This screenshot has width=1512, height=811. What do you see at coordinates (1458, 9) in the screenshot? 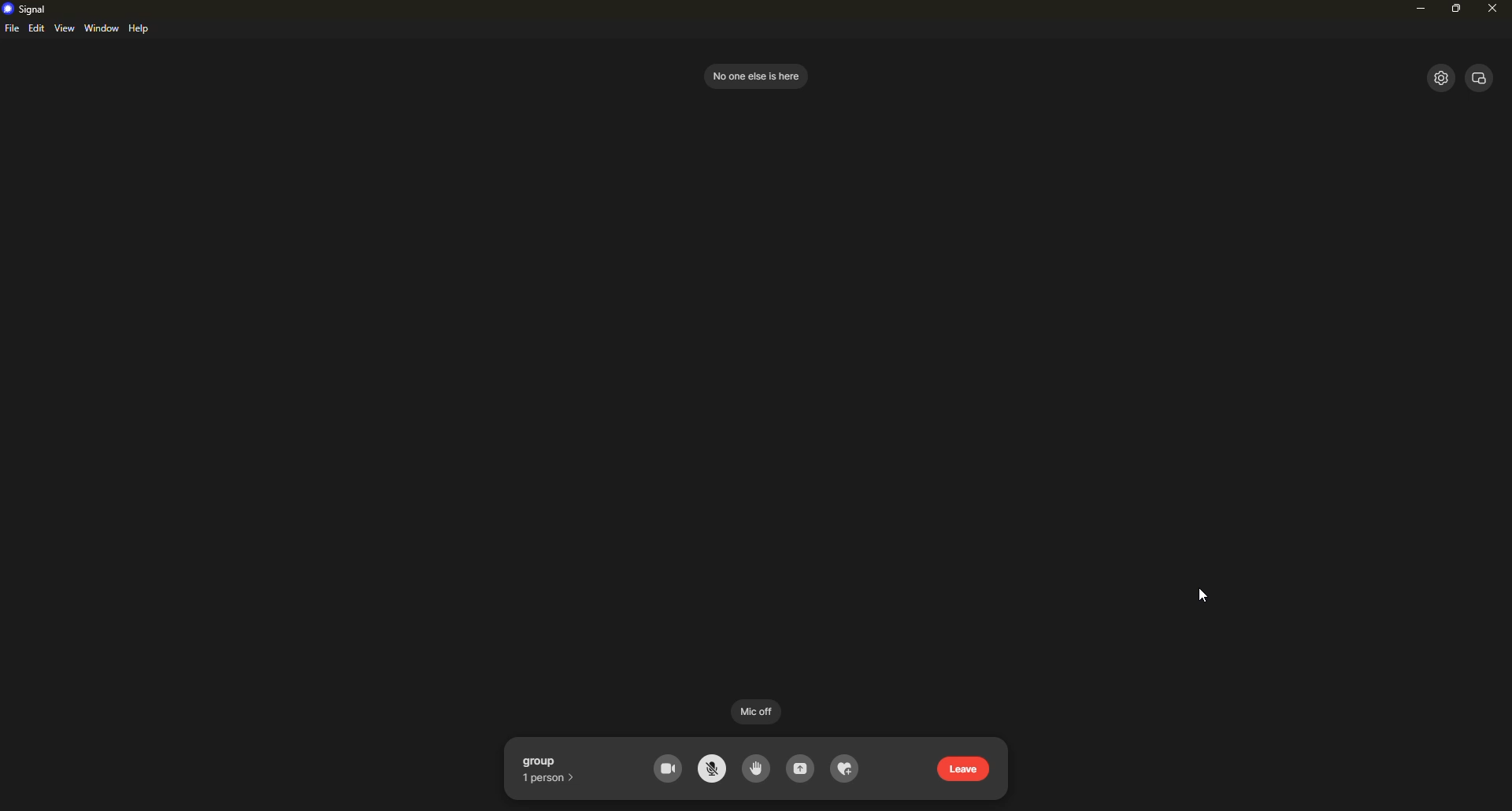
I see `maximize` at bounding box center [1458, 9].